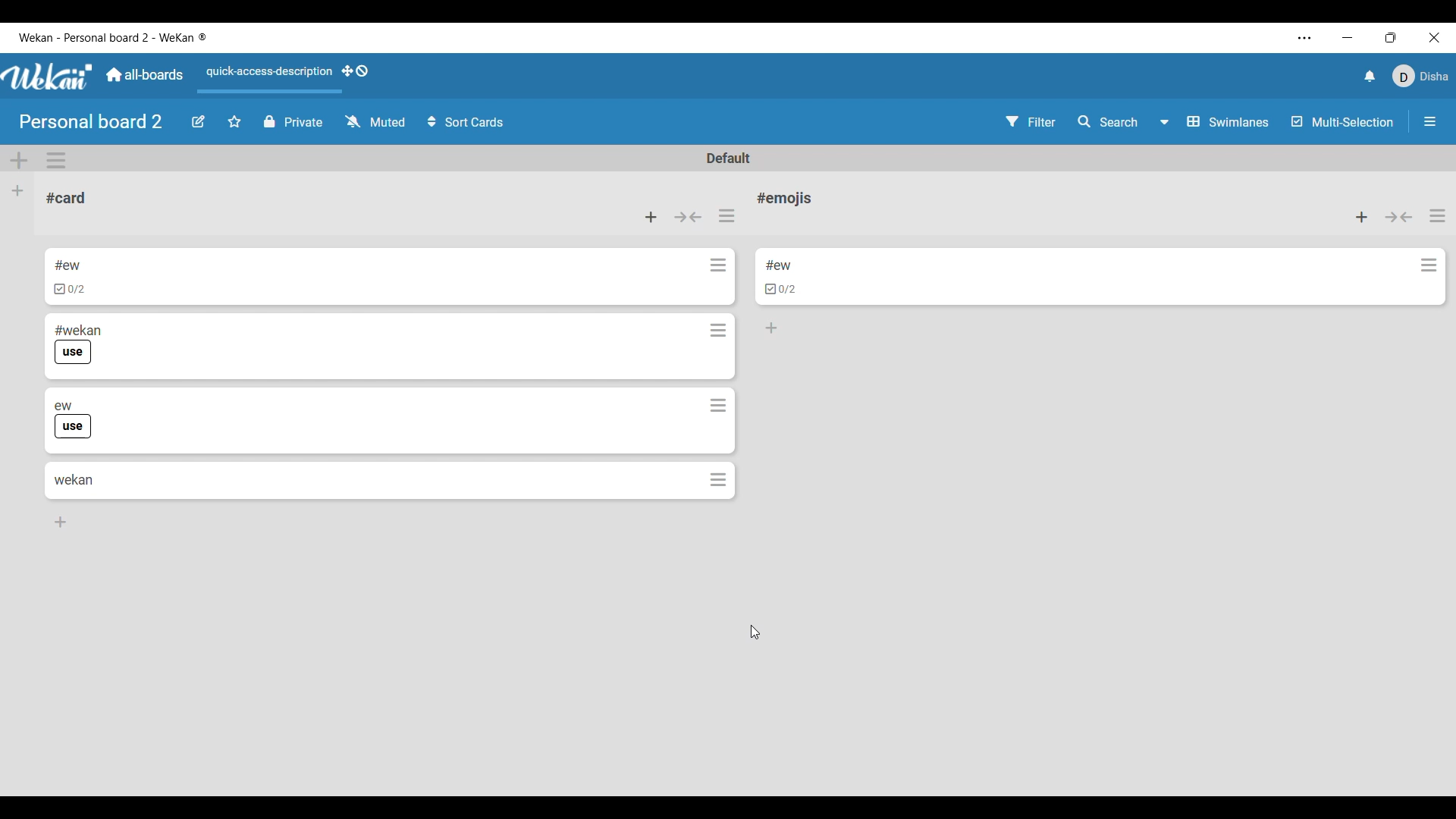  Describe the element at coordinates (1031, 121) in the screenshot. I see `Filter` at that location.